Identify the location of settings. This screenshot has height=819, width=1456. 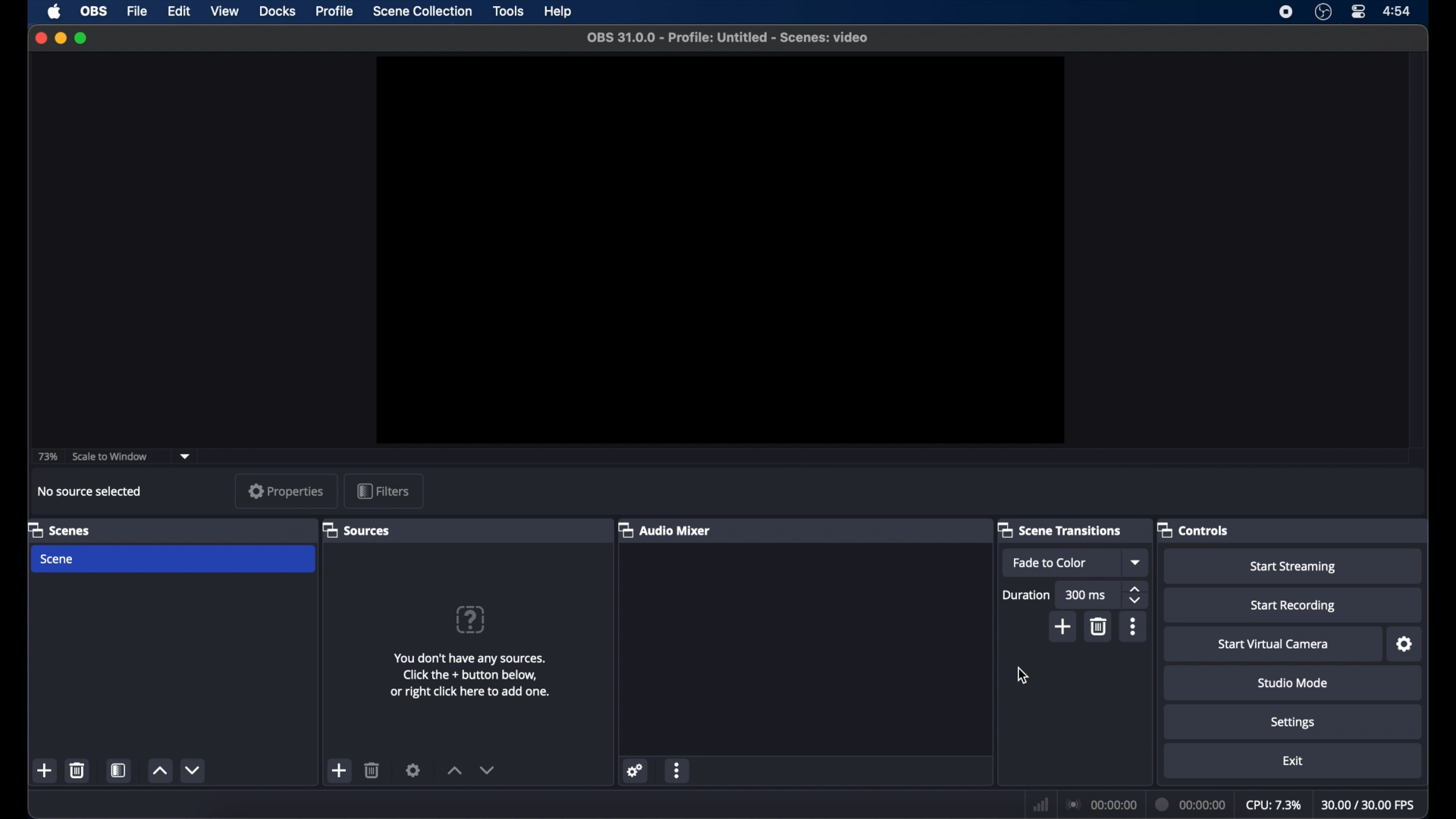
(1293, 722).